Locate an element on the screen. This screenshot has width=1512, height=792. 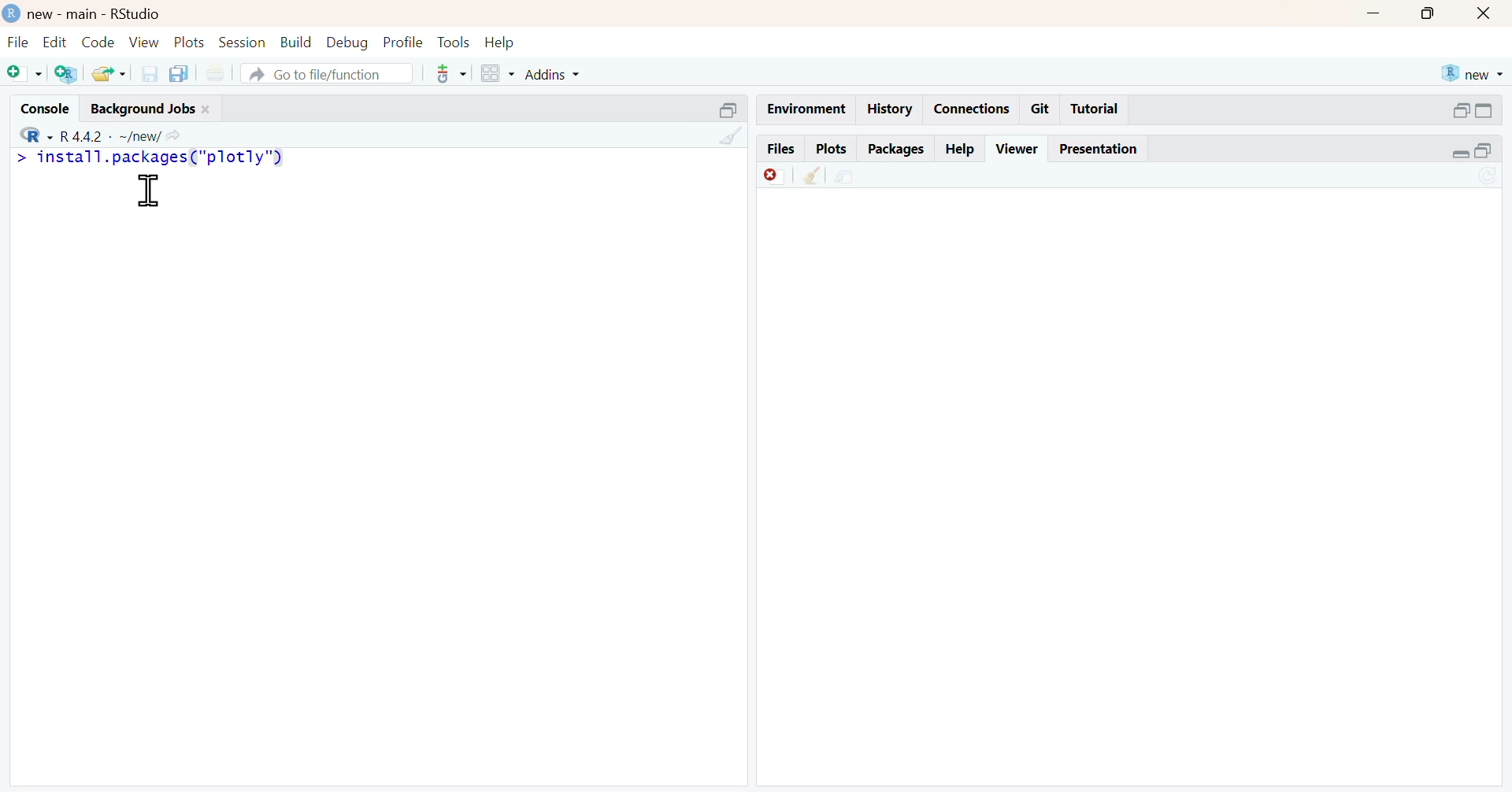
empty area is located at coordinates (1137, 491).